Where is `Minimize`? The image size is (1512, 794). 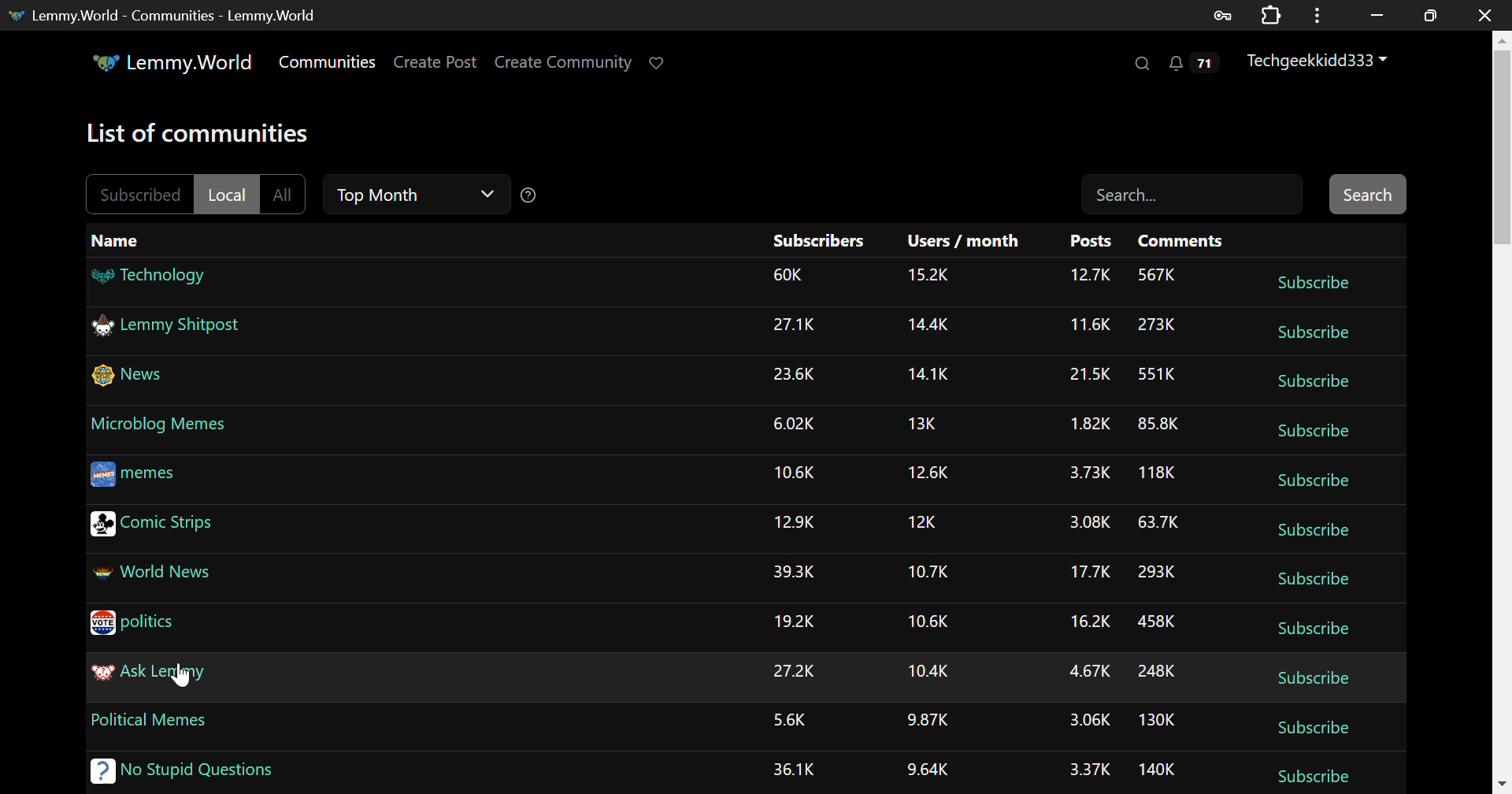
Minimize is located at coordinates (1431, 16).